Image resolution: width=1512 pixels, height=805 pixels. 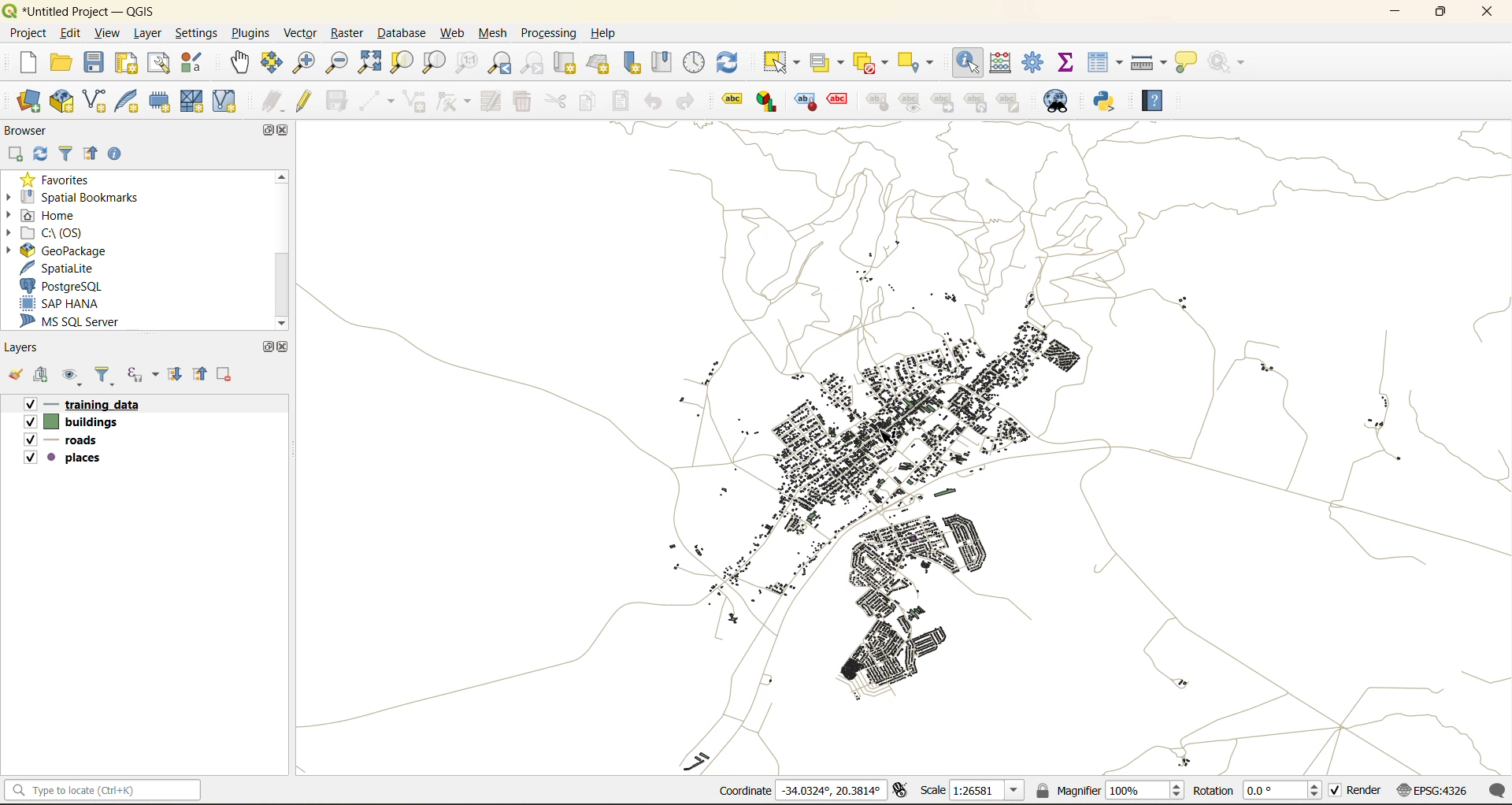 What do you see at coordinates (895, 442) in the screenshot?
I see `Pointer` at bounding box center [895, 442].